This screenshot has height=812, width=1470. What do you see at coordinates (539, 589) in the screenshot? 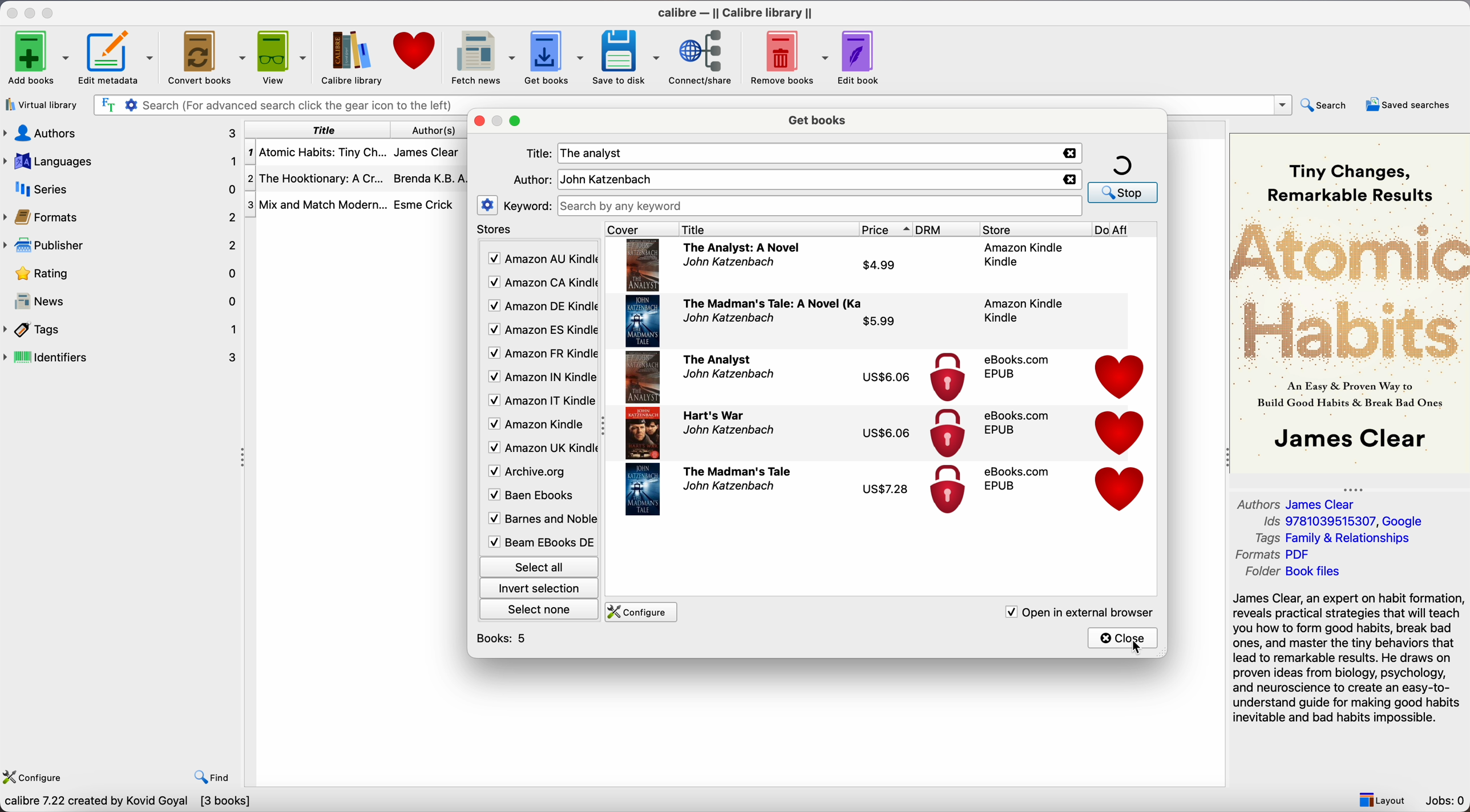
I see `invert selection` at bounding box center [539, 589].